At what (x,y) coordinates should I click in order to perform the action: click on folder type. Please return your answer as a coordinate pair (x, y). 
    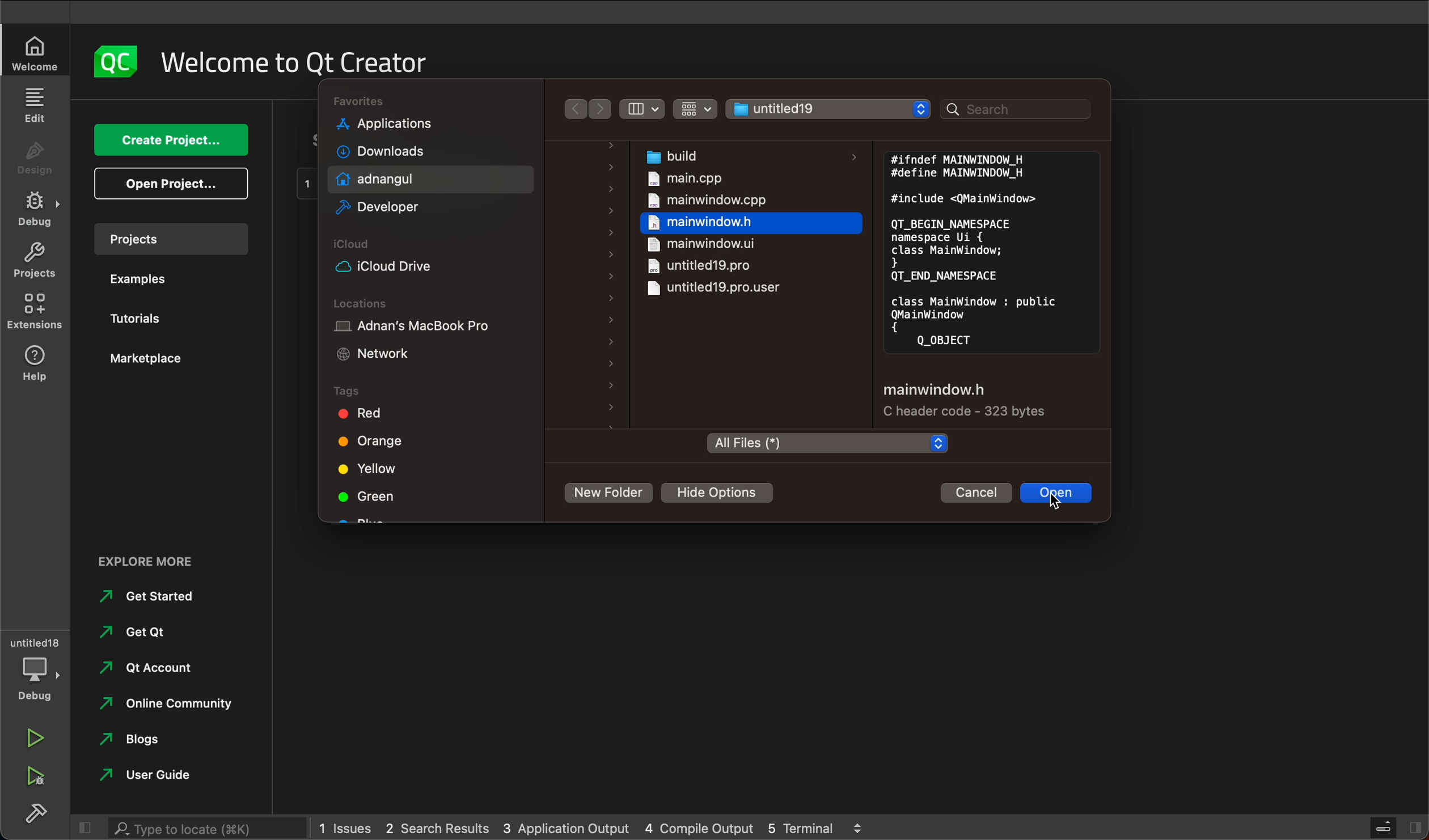
    Looking at the image, I should click on (826, 444).